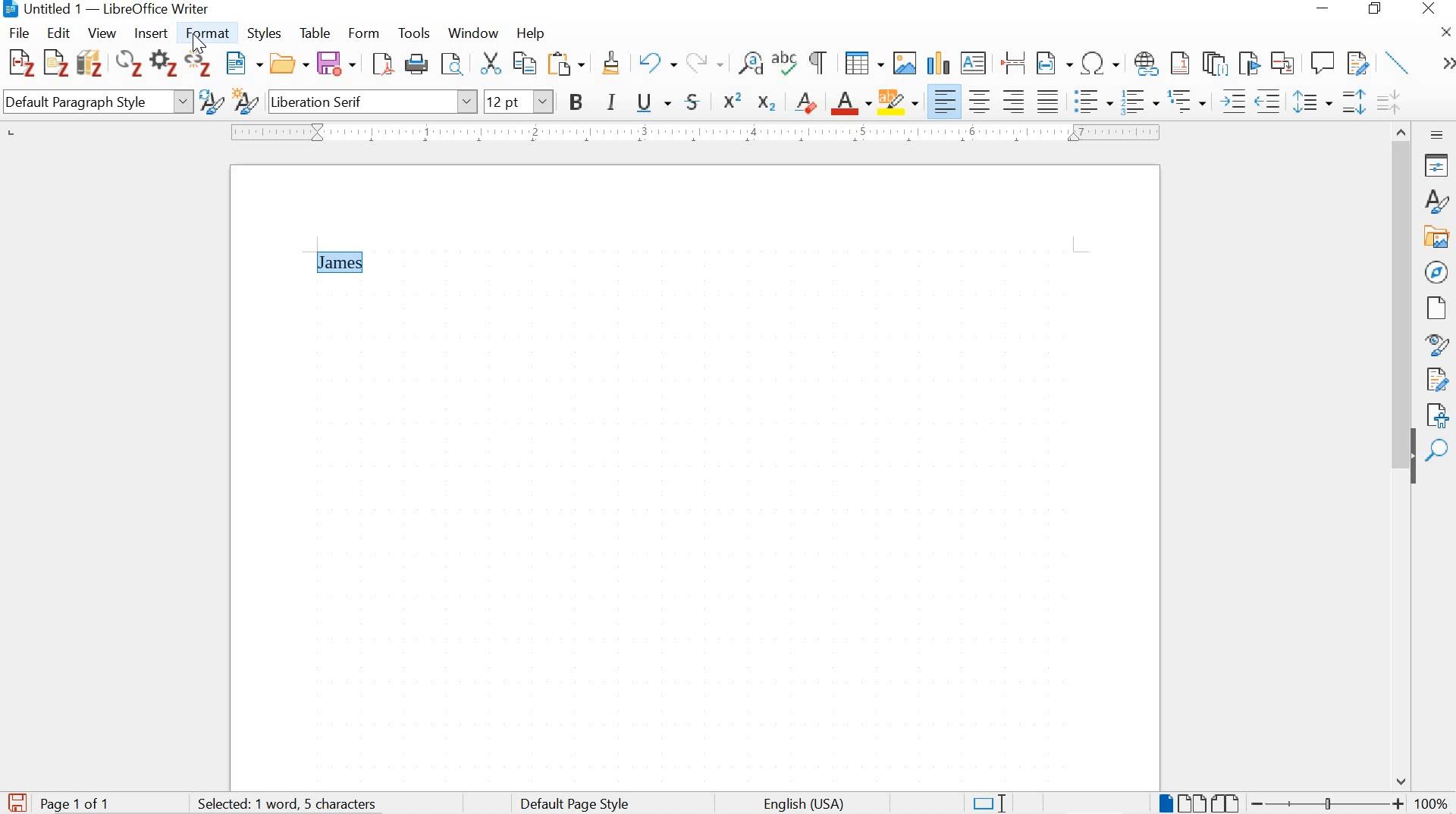 The image size is (1456, 814). Describe the element at coordinates (1191, 803) in the screenshot. I see `multiple page view` at that location.